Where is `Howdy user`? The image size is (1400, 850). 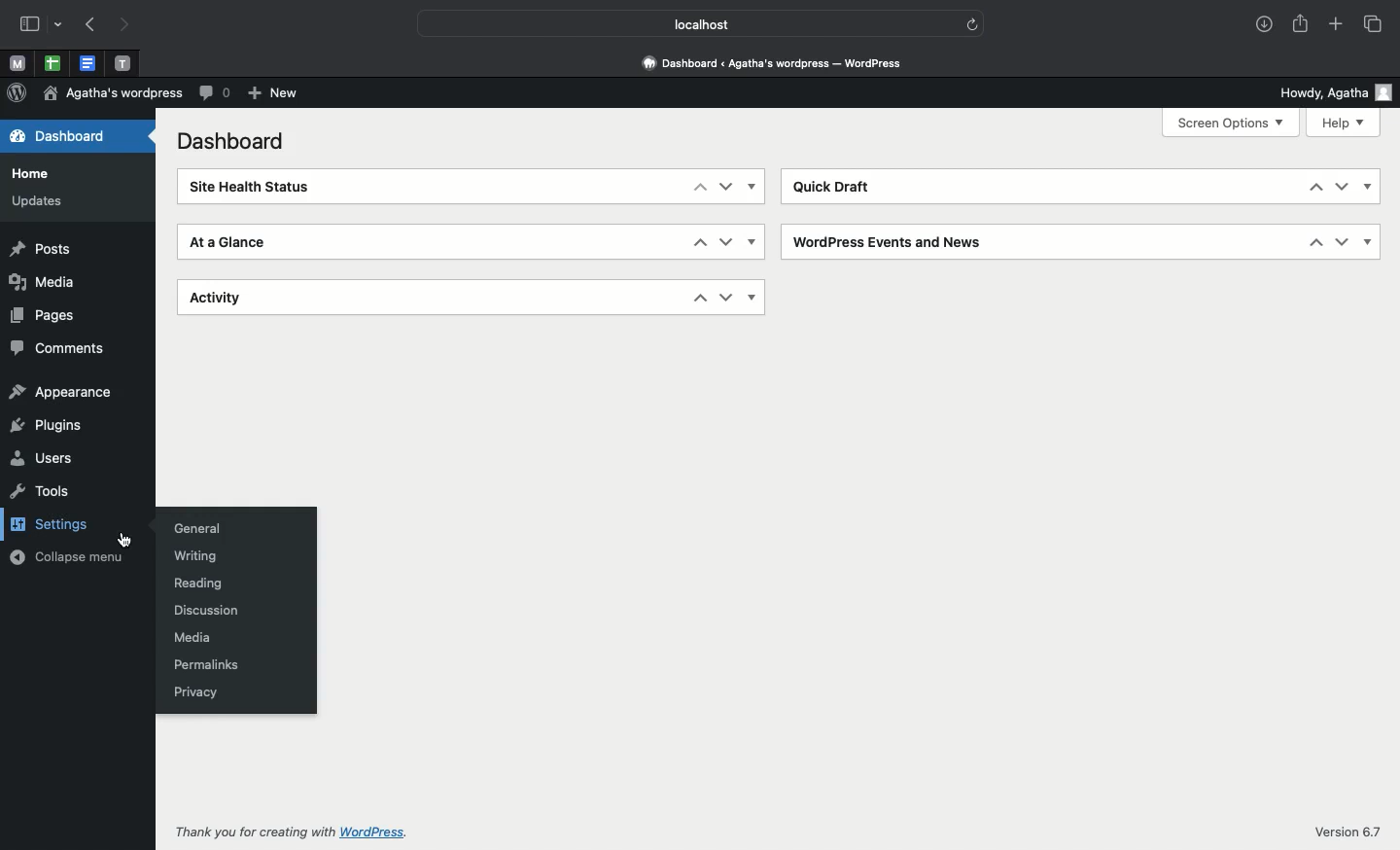
Howdy user is located at coordinates (1326, 91).